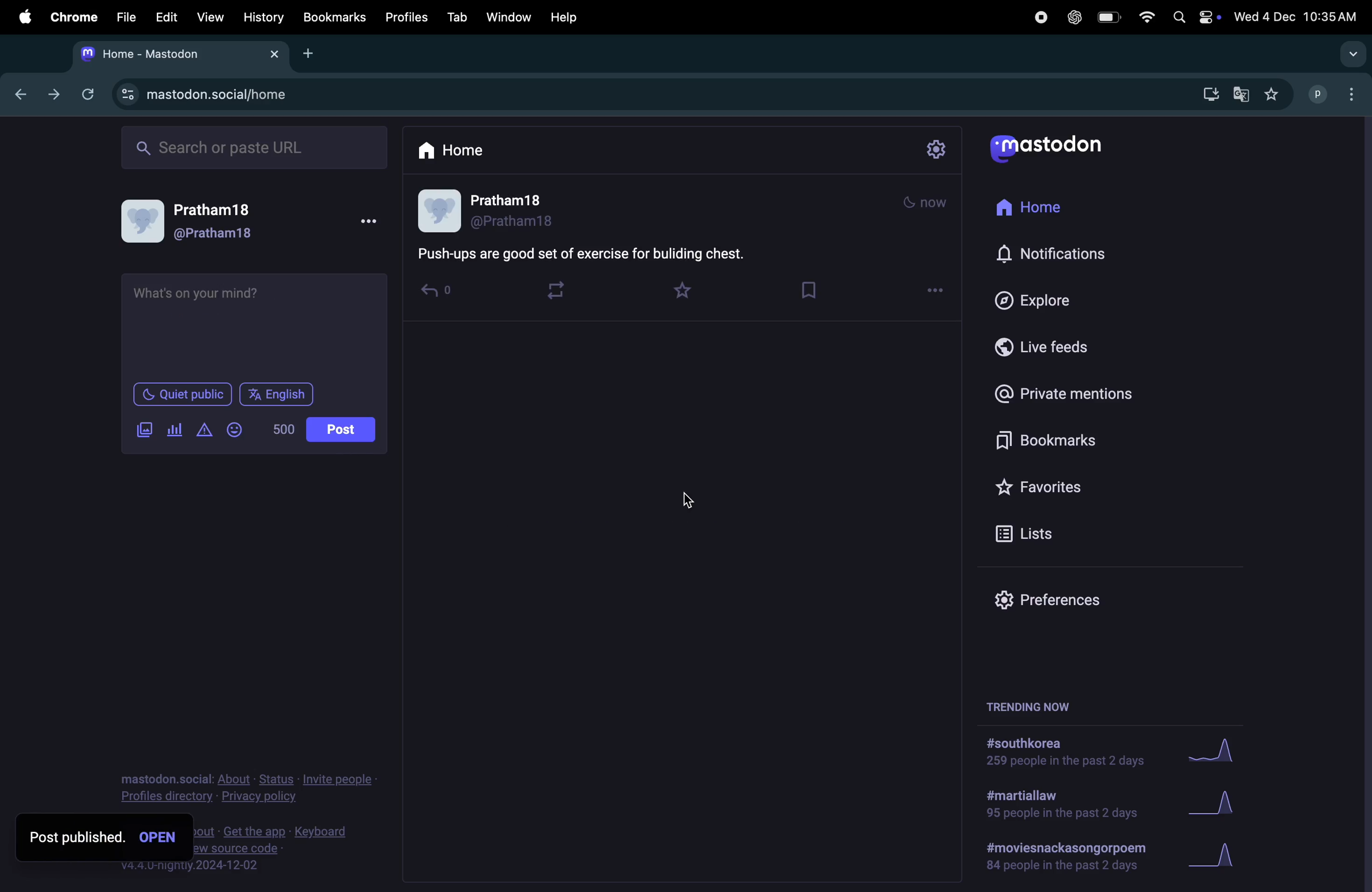 The image size is (1372, 892). I want to click on favourites, so click(1273, 94).